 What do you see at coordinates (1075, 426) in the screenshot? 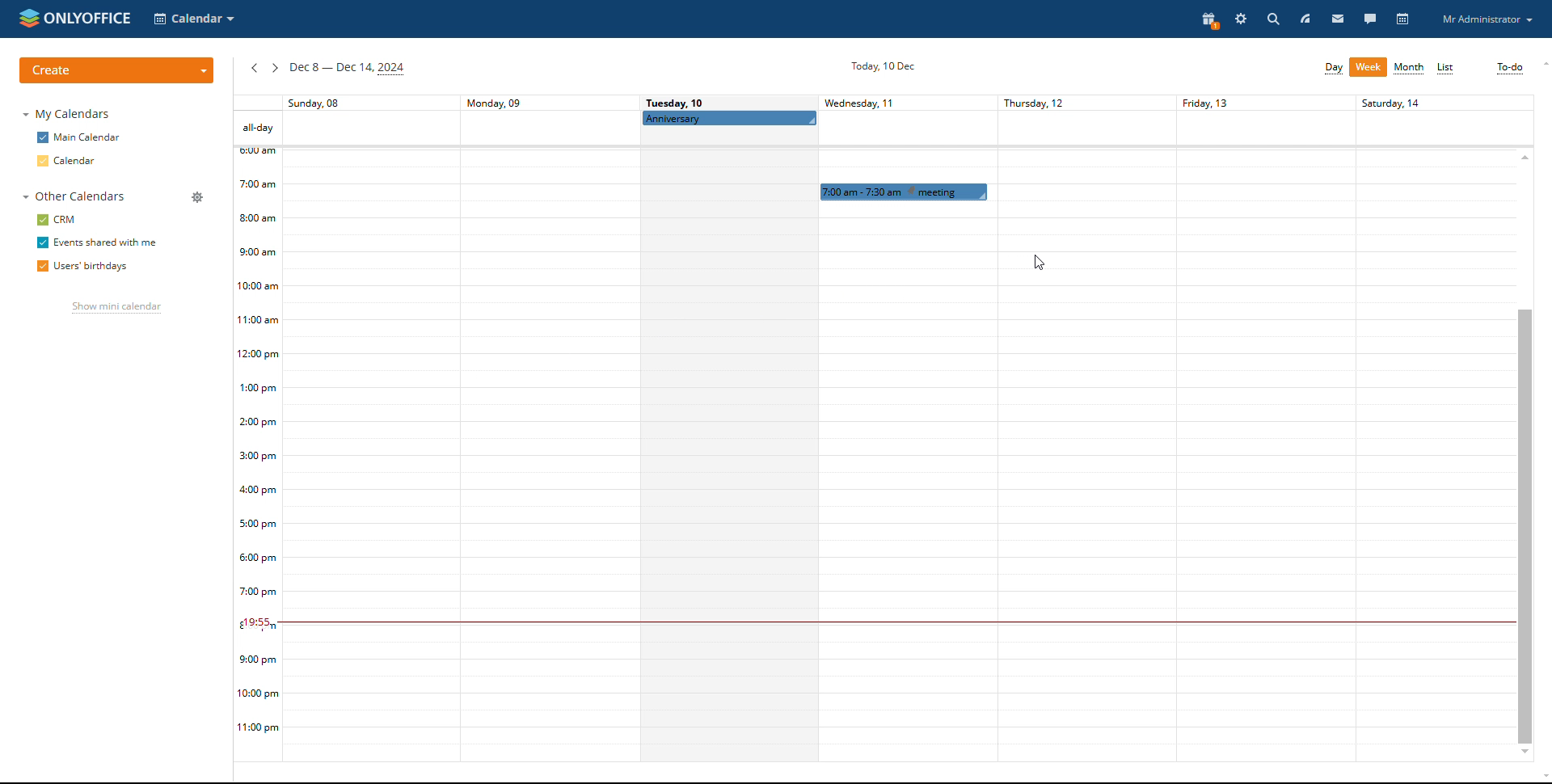
I see `thursday` at bounding box center [1075, 426].